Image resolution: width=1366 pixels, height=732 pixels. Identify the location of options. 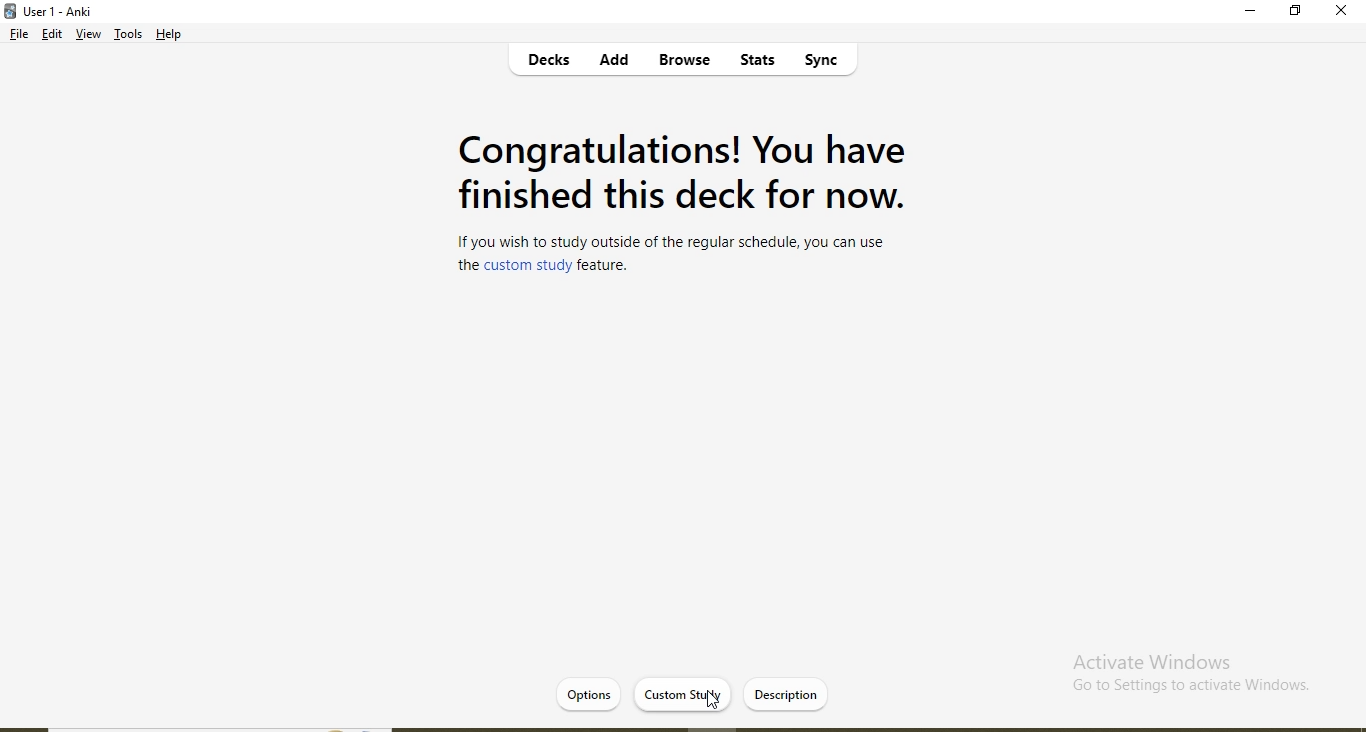
(587, 691).